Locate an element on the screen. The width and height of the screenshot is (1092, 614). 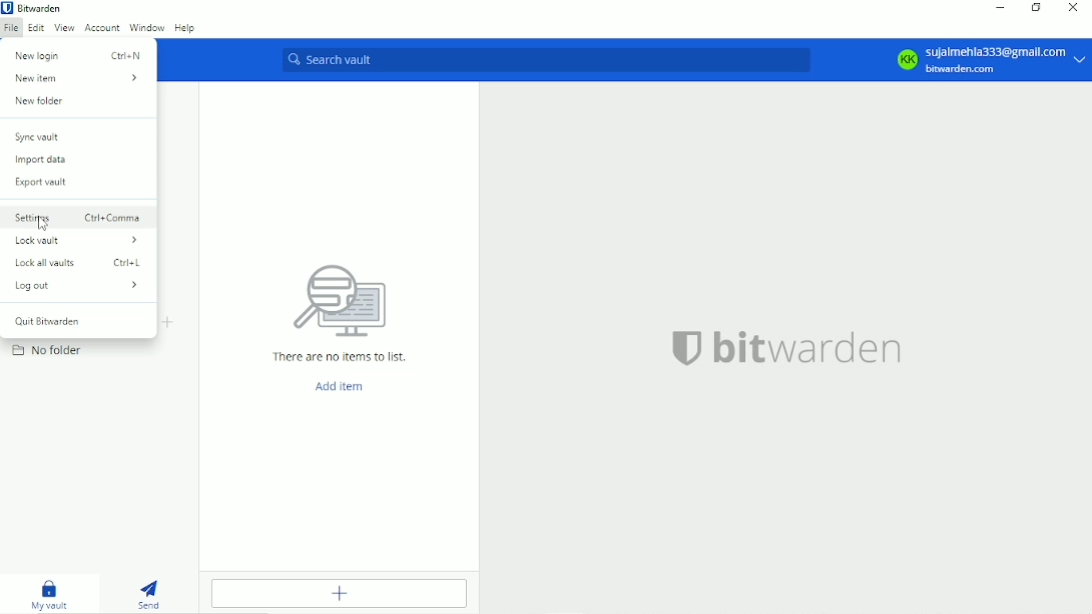
Restore down is located at coordinates (1036, 7).